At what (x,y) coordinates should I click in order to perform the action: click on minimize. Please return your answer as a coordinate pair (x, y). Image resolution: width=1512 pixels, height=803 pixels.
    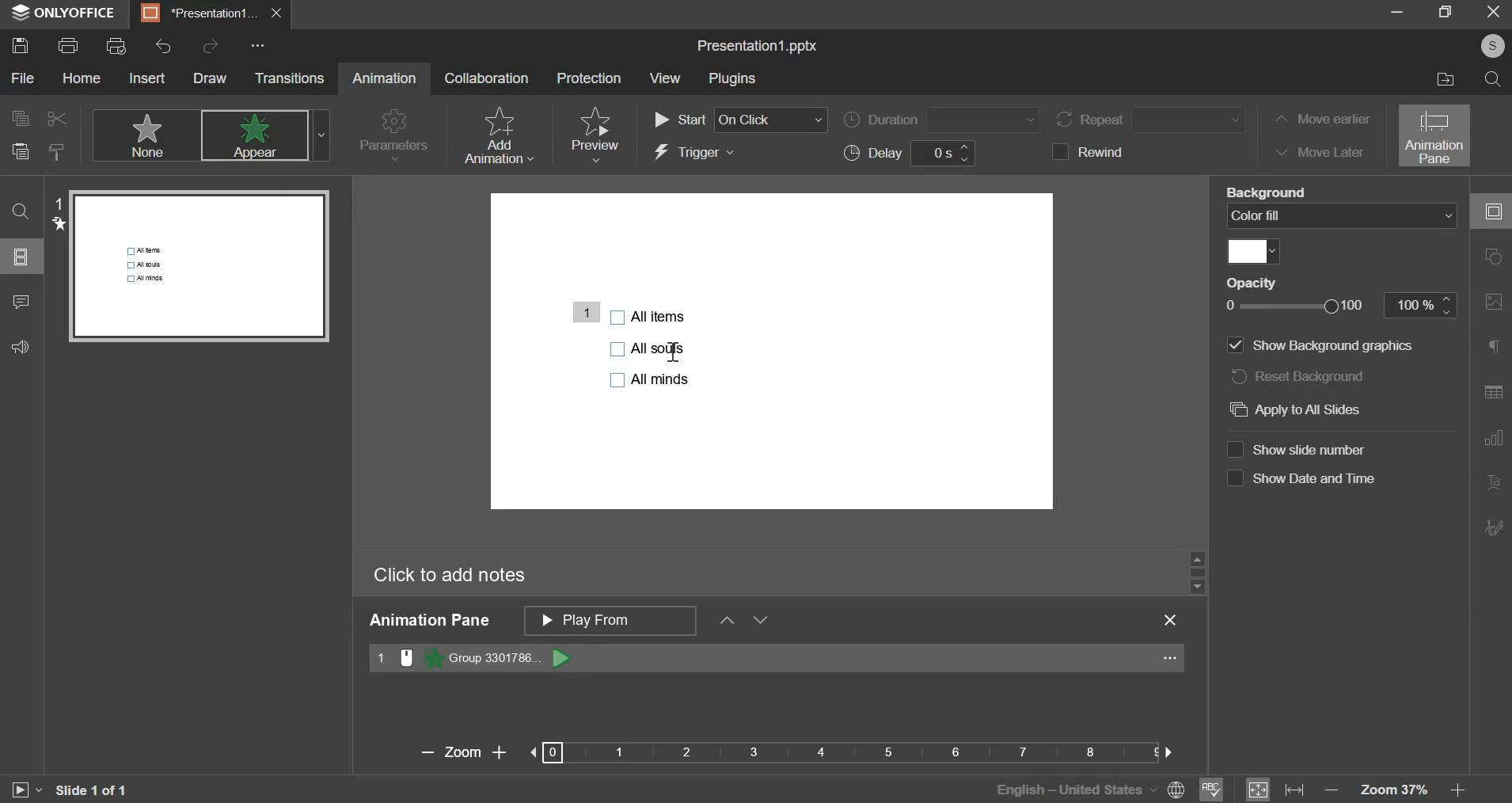
    Looking at the image, I should click on (1394, 16).